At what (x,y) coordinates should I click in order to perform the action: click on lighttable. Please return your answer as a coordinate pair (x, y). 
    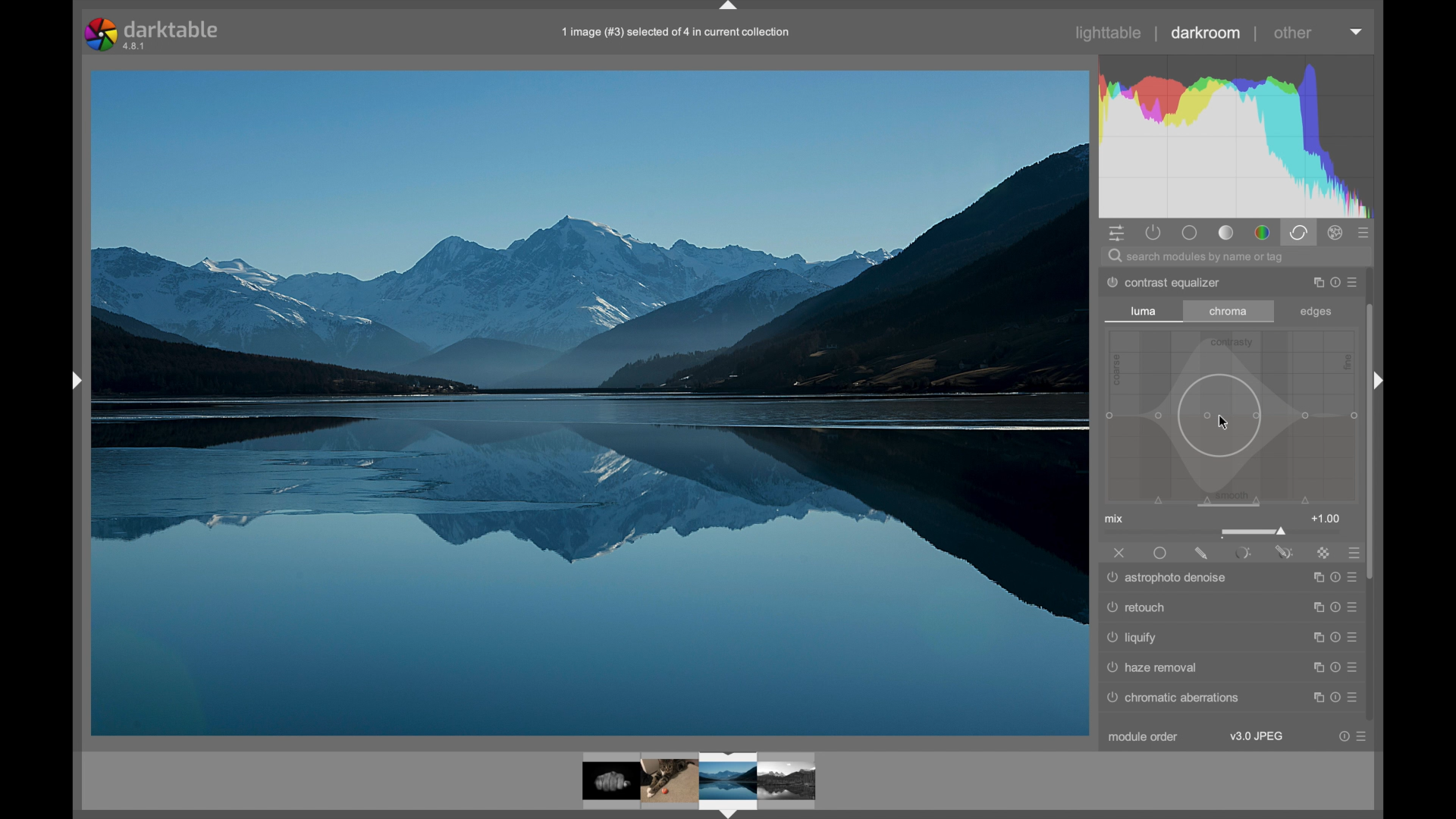
    Looking at the image, I should click on (1109, 33).